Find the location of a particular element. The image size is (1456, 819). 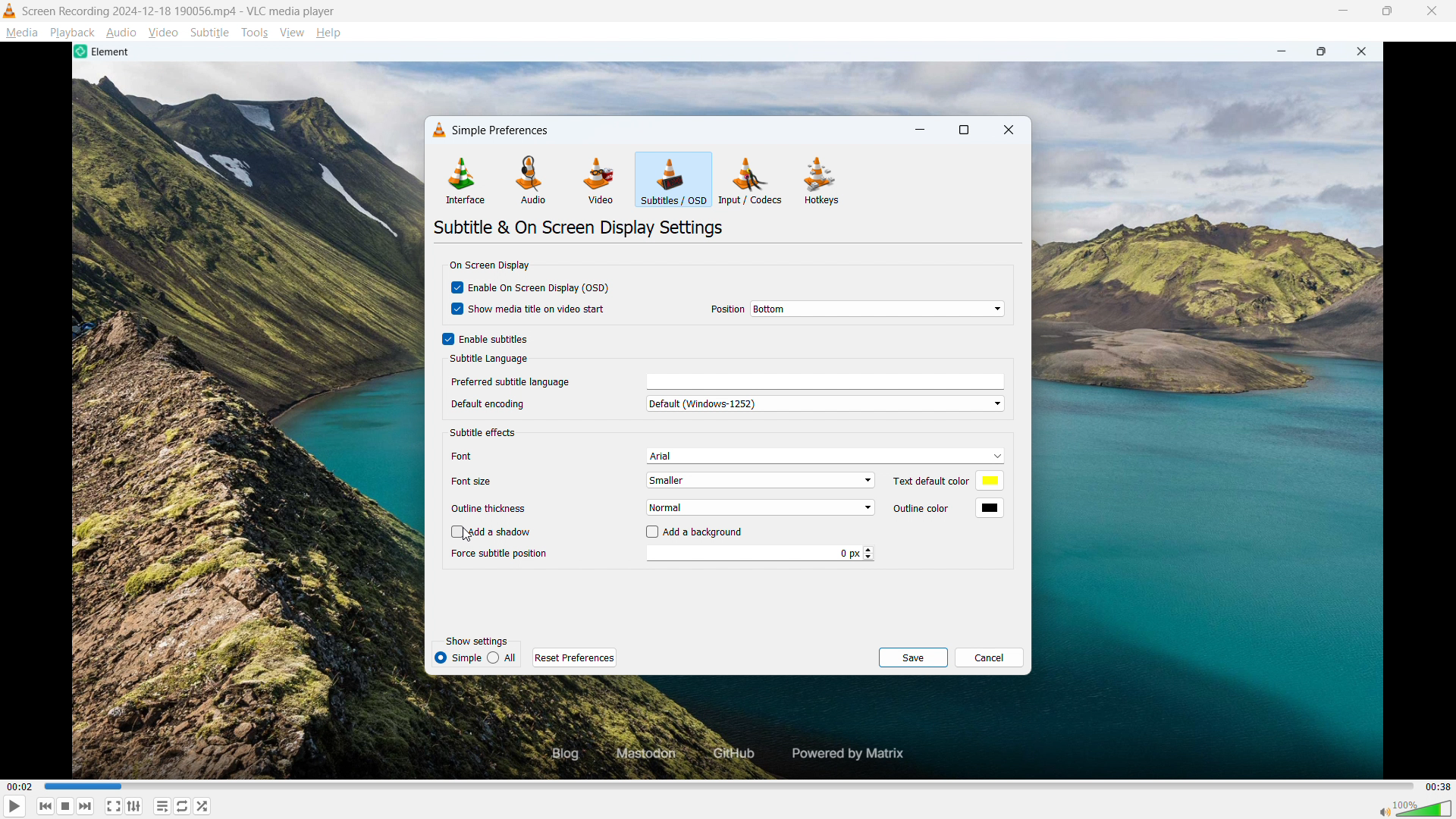

VLC logo is located at coordinates (437, 130).